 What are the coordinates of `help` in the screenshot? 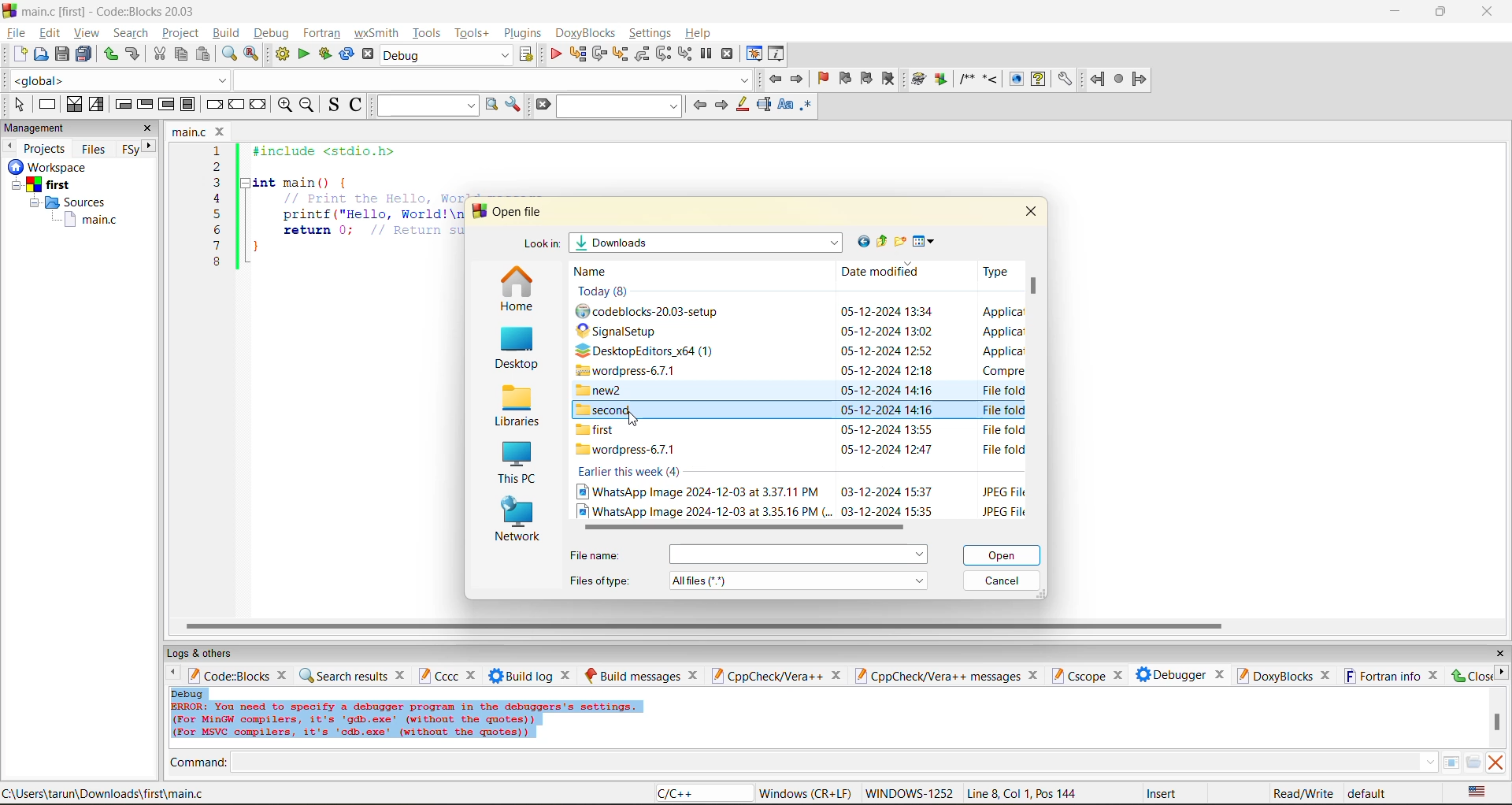 It's located at (1038, 79).